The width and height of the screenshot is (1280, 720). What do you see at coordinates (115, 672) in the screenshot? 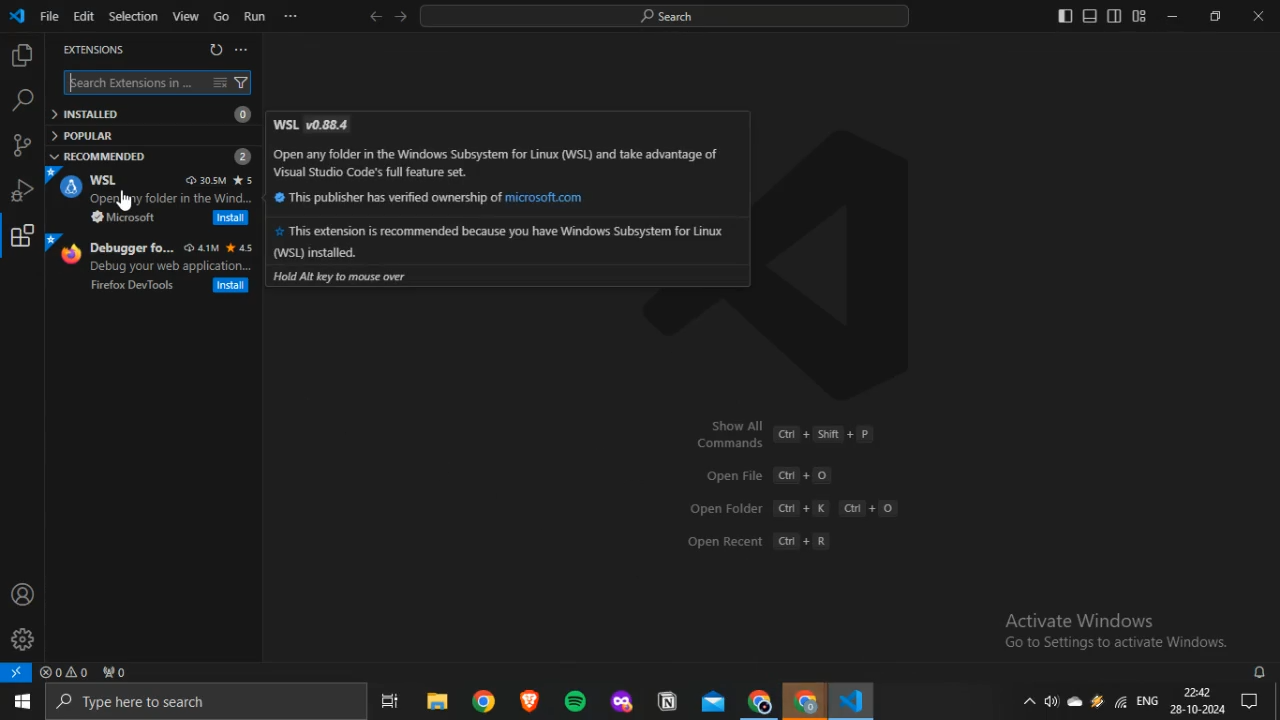
I see `no ports forwarded` at bounding box center [115, 672].